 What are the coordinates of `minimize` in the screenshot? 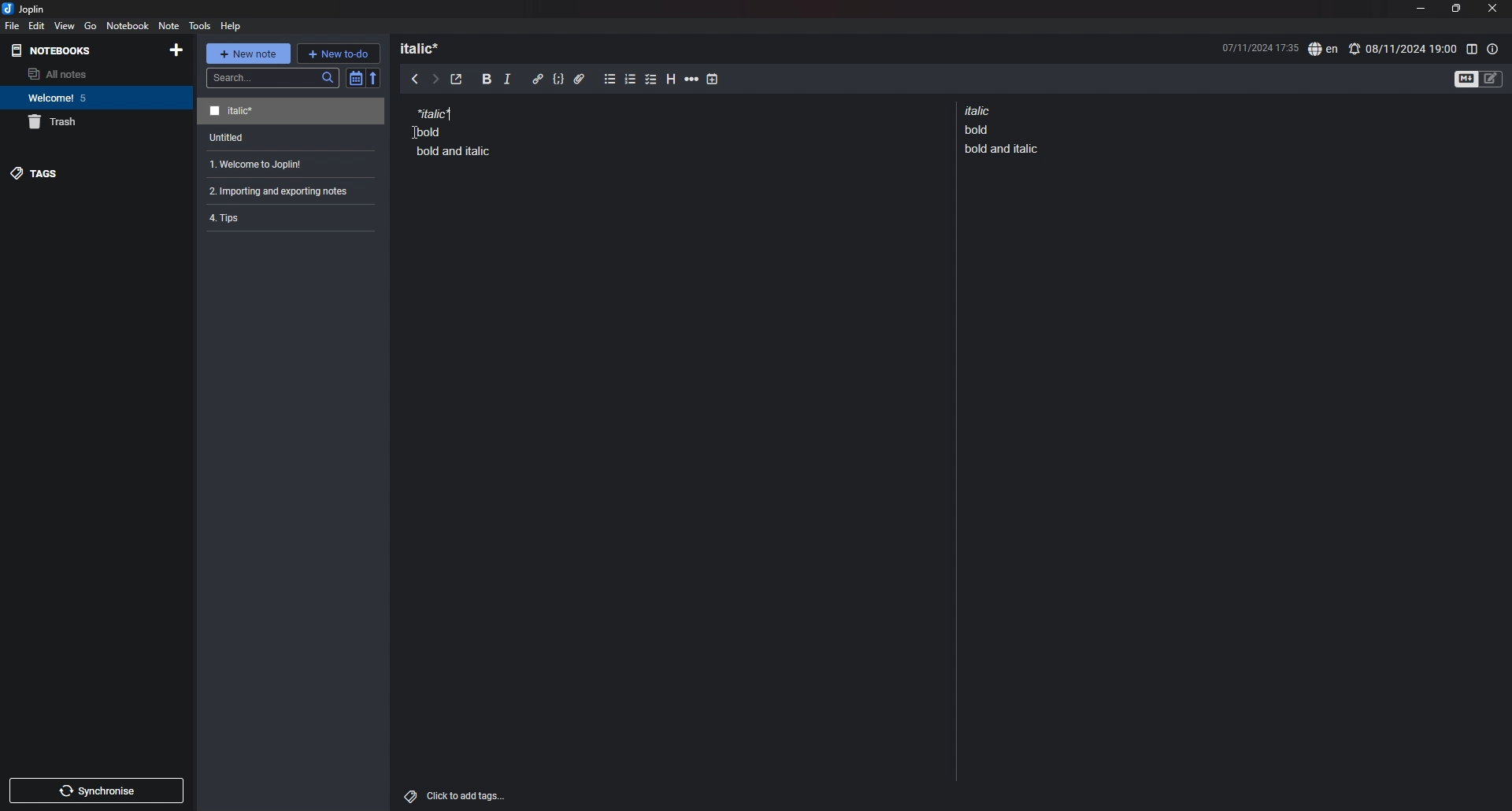 It's located at (1420, 8).